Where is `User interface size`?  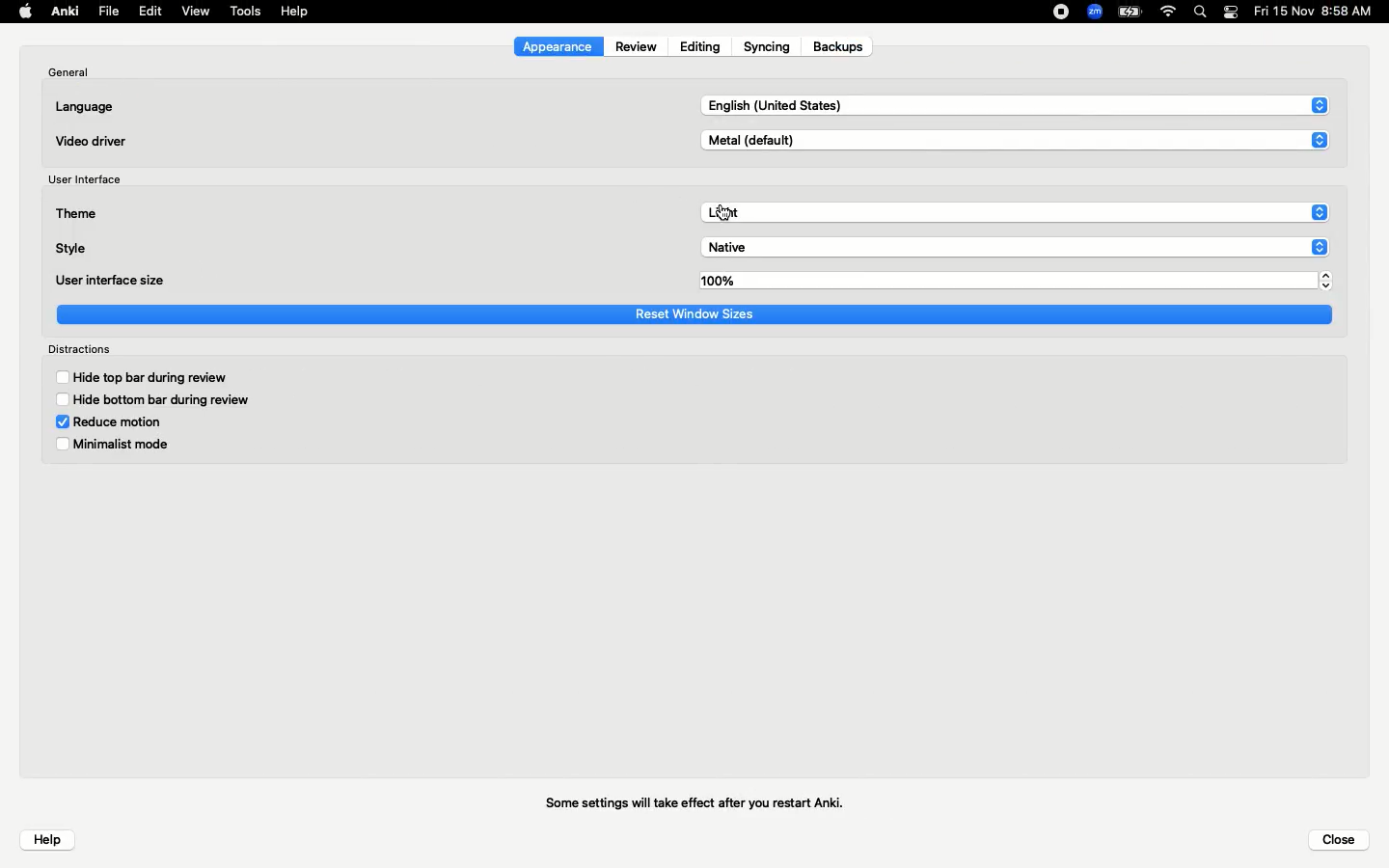 User interface size is located at coordinates (112, 281).